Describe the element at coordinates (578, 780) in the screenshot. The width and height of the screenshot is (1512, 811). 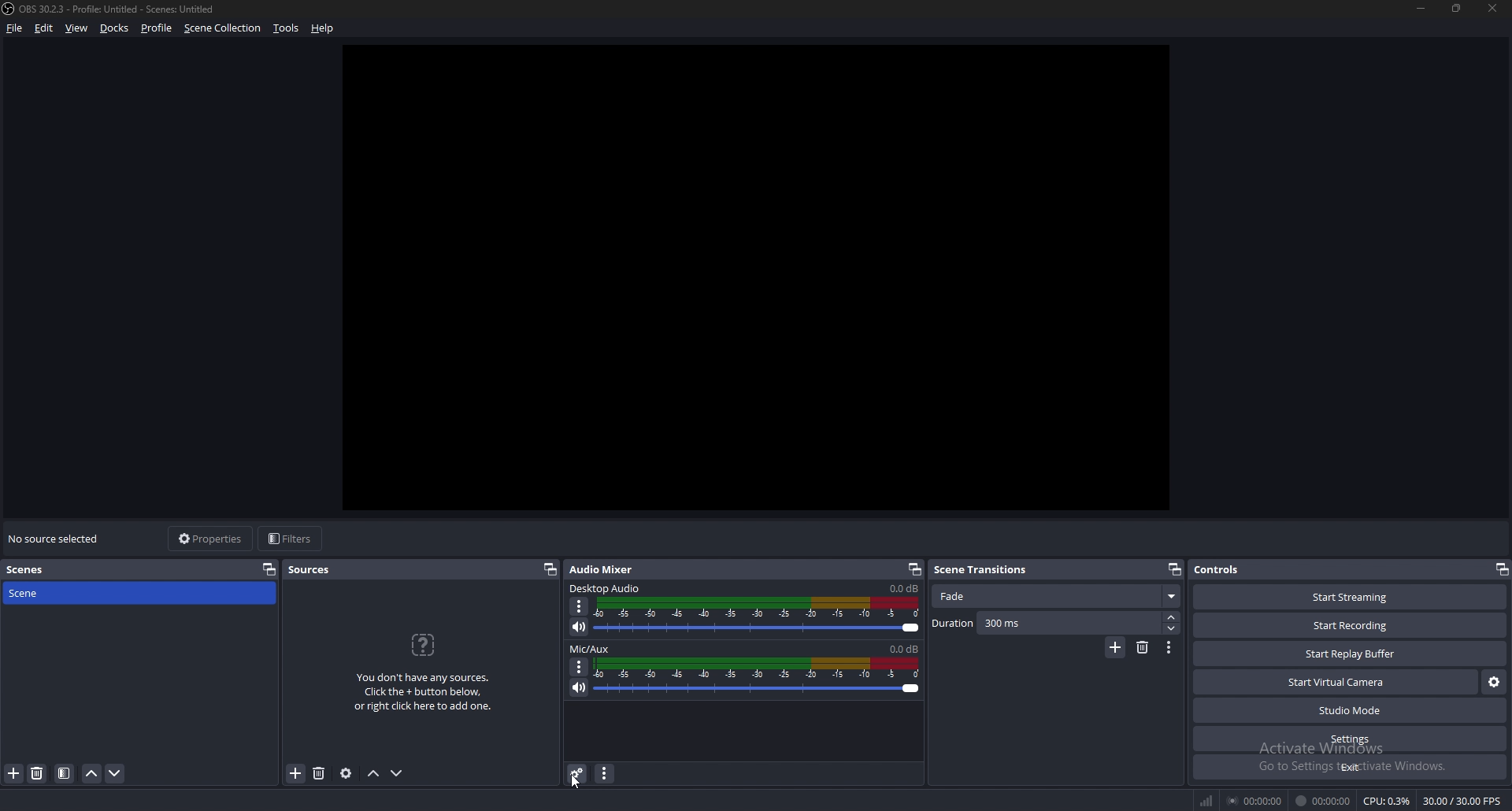
I see `cursor` at that location.